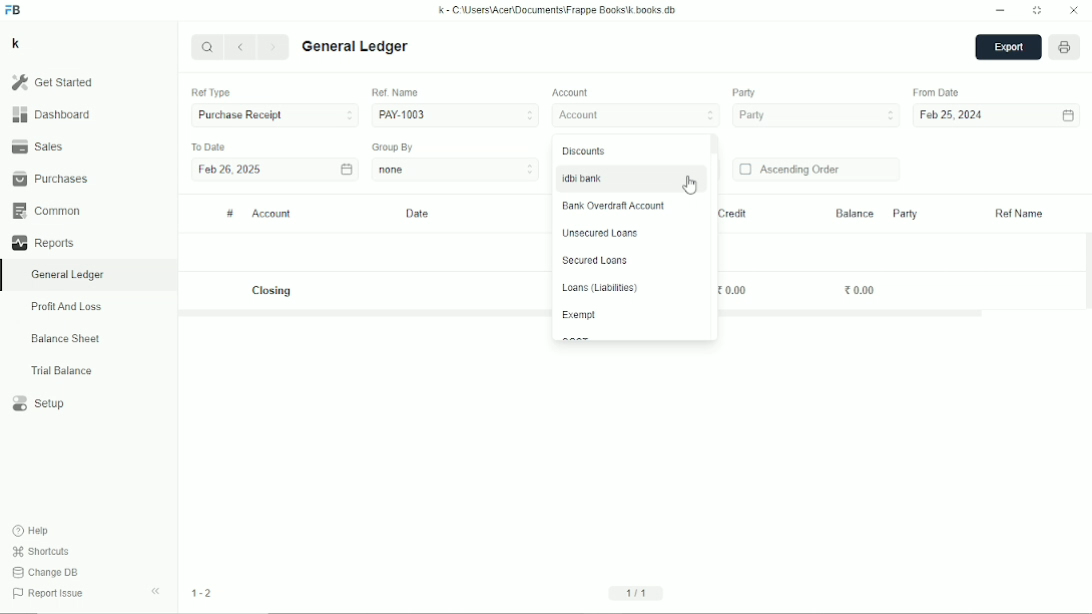 The image size is (1092, 614). Describe the element at coordinates (1065, 48) in the screenshot. I see `Open report print view` at that location.